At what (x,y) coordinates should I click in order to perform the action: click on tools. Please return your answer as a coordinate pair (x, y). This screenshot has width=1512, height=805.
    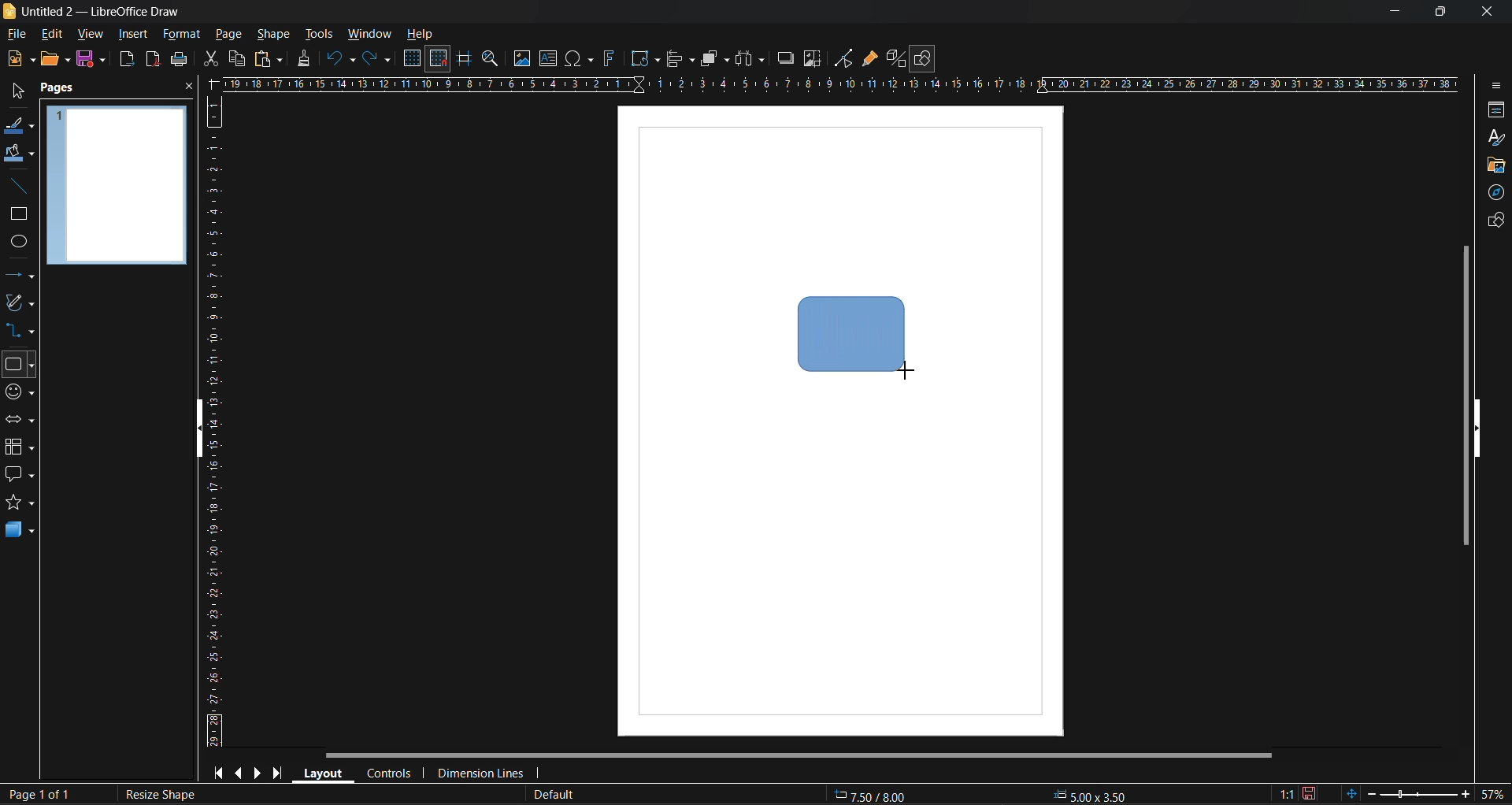
    Looking at the image, I should click on (322, 35).